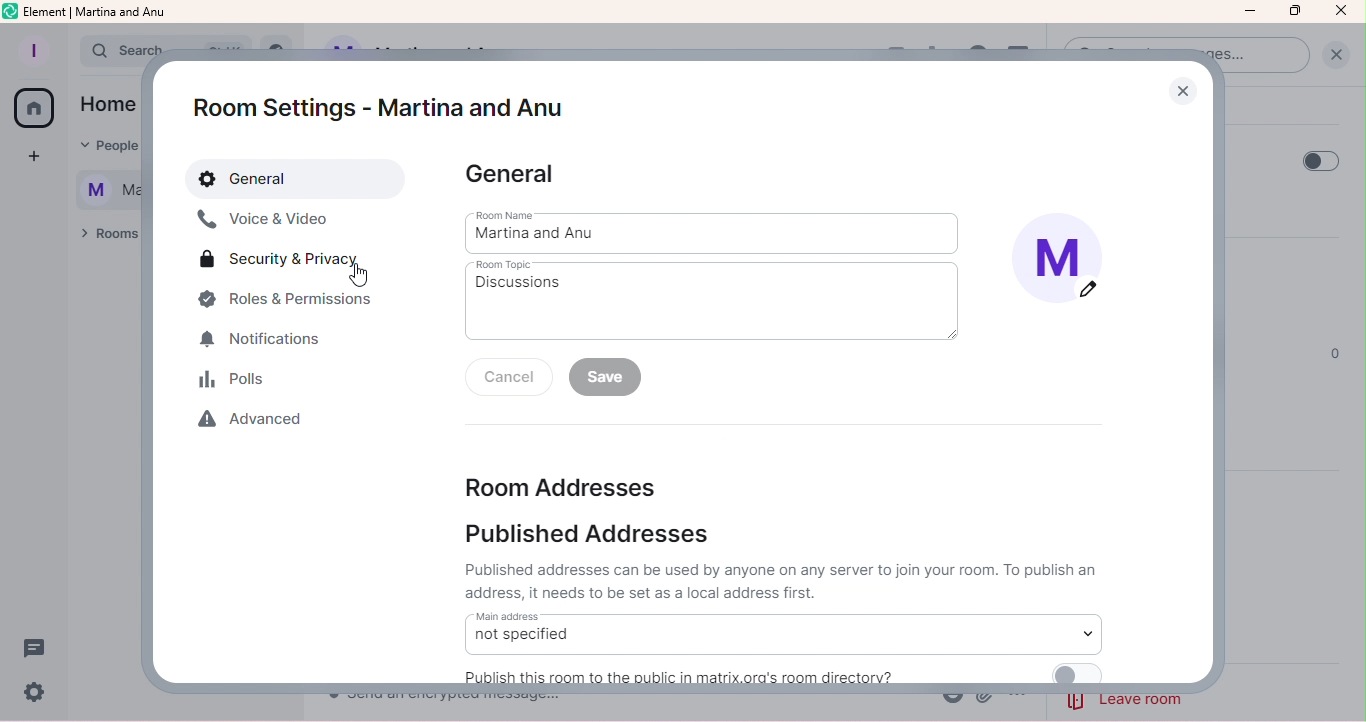  Describe the element at coordinates (799, 582) in the screenshot. I see `Published addresses can be used by anyone on any server to join your room. To publish an  address, it needs to be set as local address first` at that location.